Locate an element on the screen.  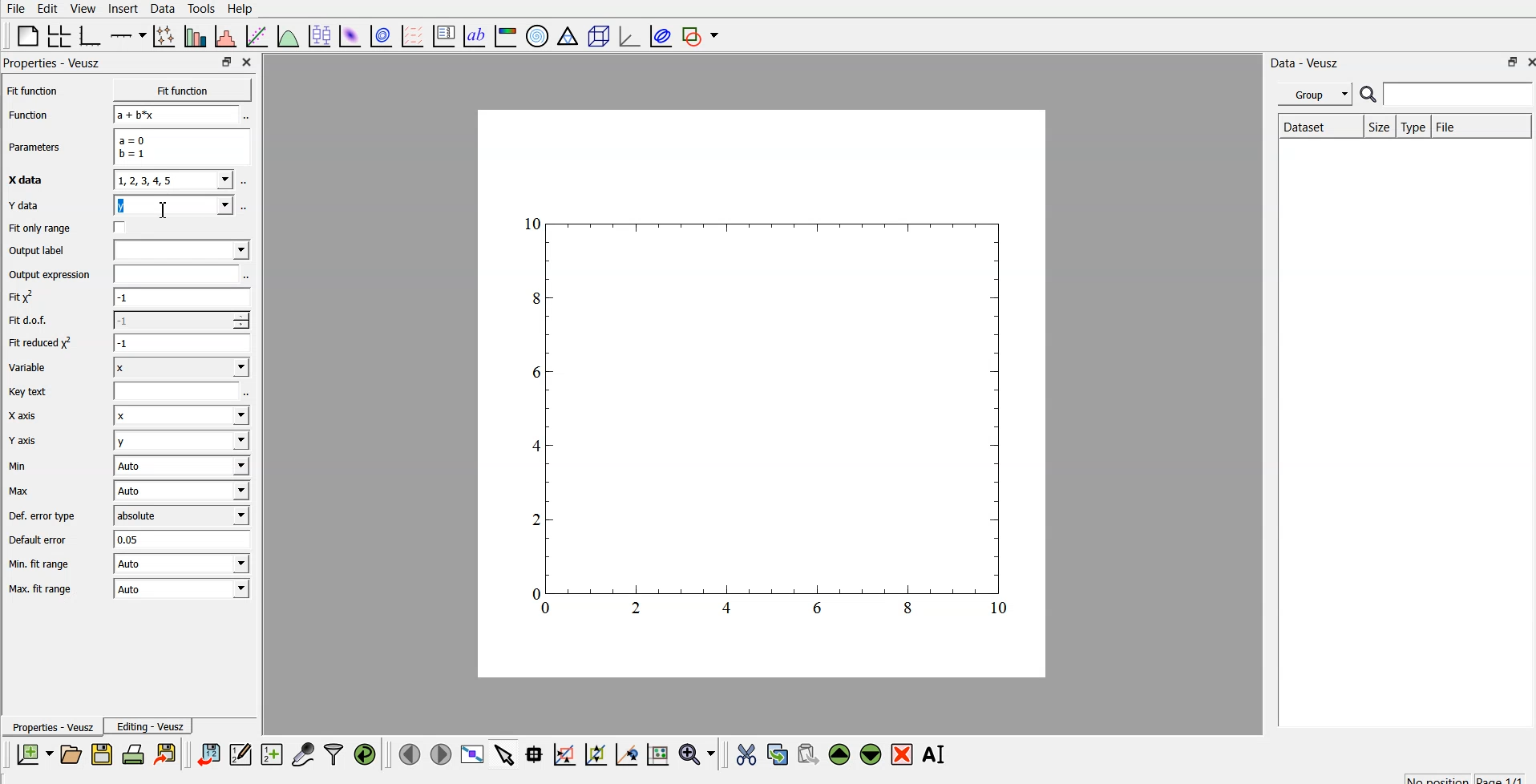
image color bar is located at coordinates (509, 36).